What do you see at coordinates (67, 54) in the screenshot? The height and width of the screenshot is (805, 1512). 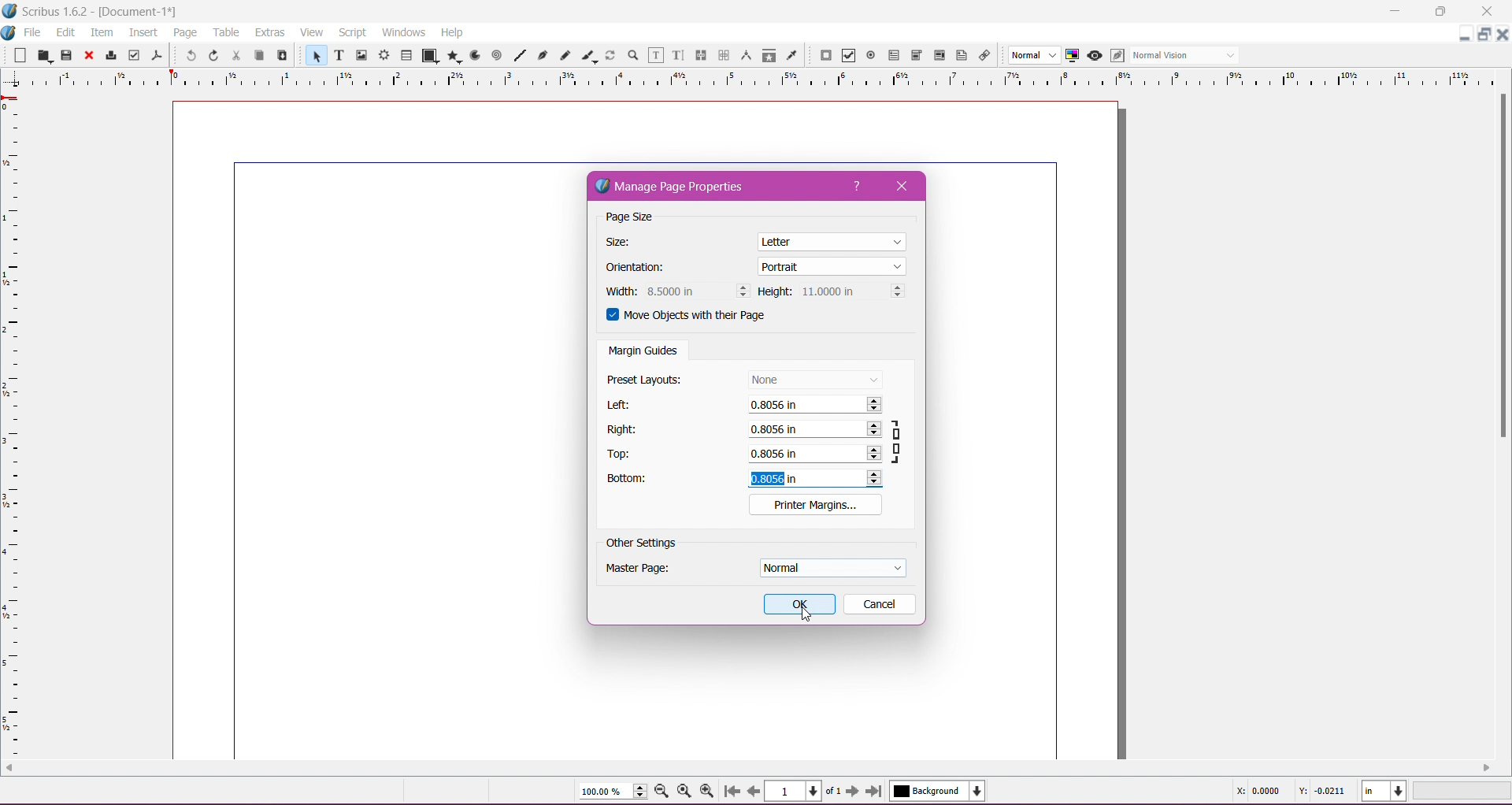 I see `Save` at bounding box center [67, 54].